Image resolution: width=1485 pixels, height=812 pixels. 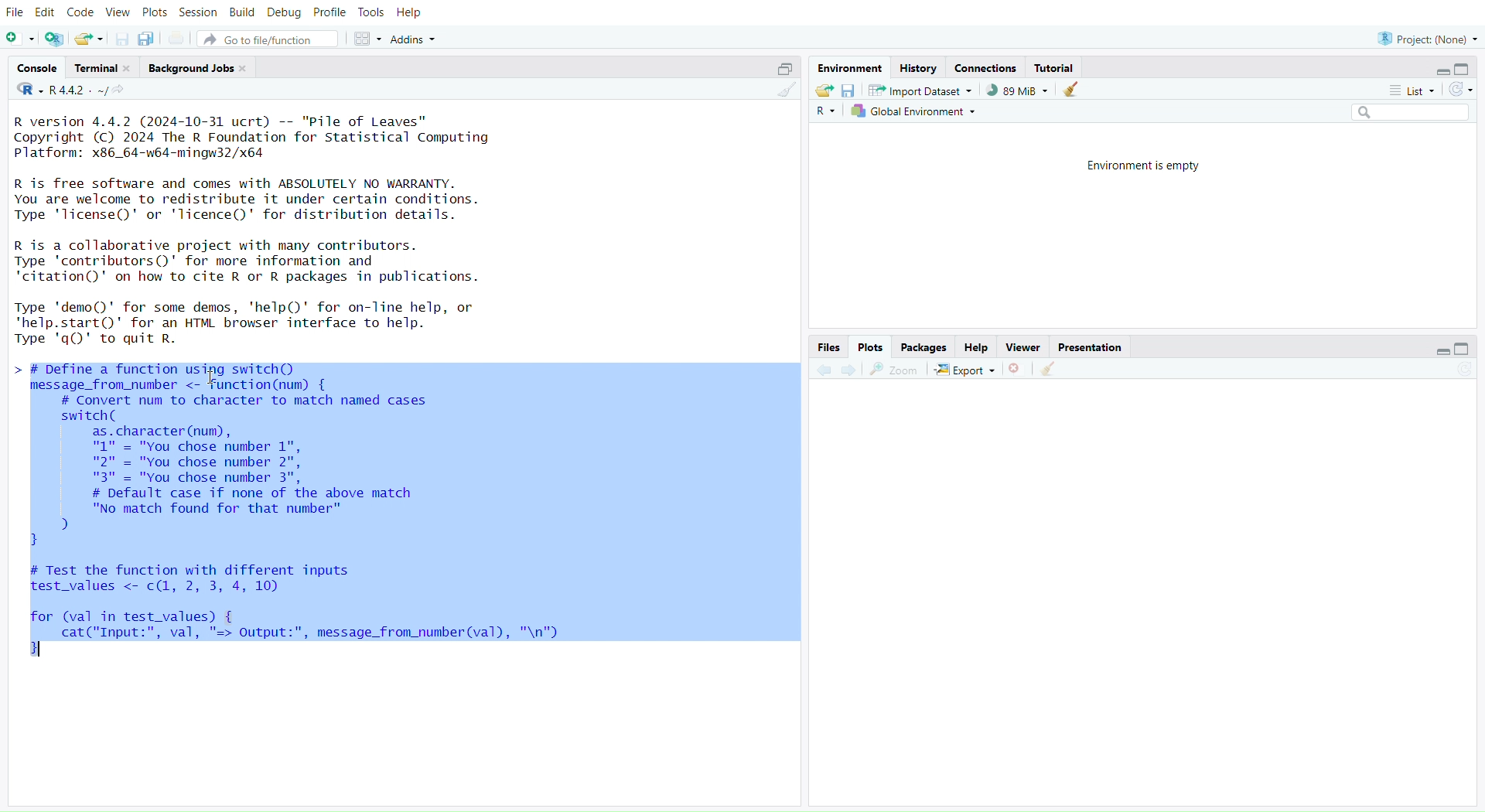 I want to click on Maximize, so click(x=1466, y=70).